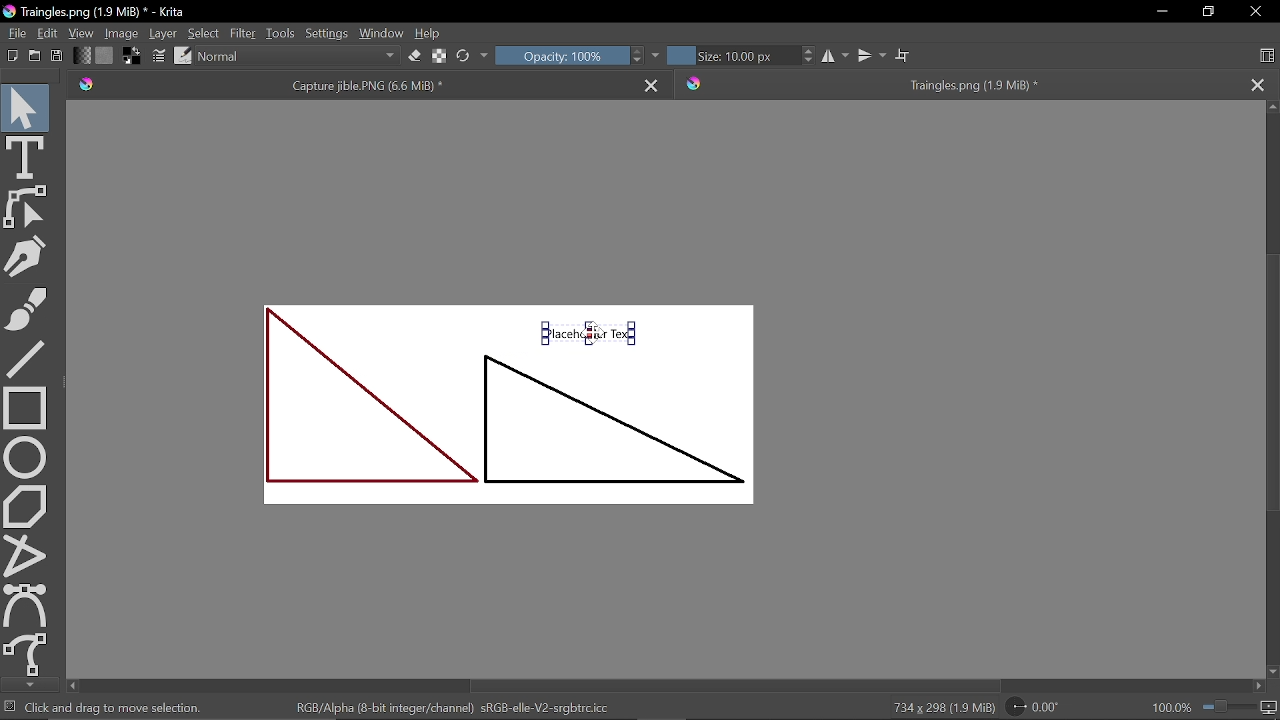  I want to click on Window, so click(382, 32).